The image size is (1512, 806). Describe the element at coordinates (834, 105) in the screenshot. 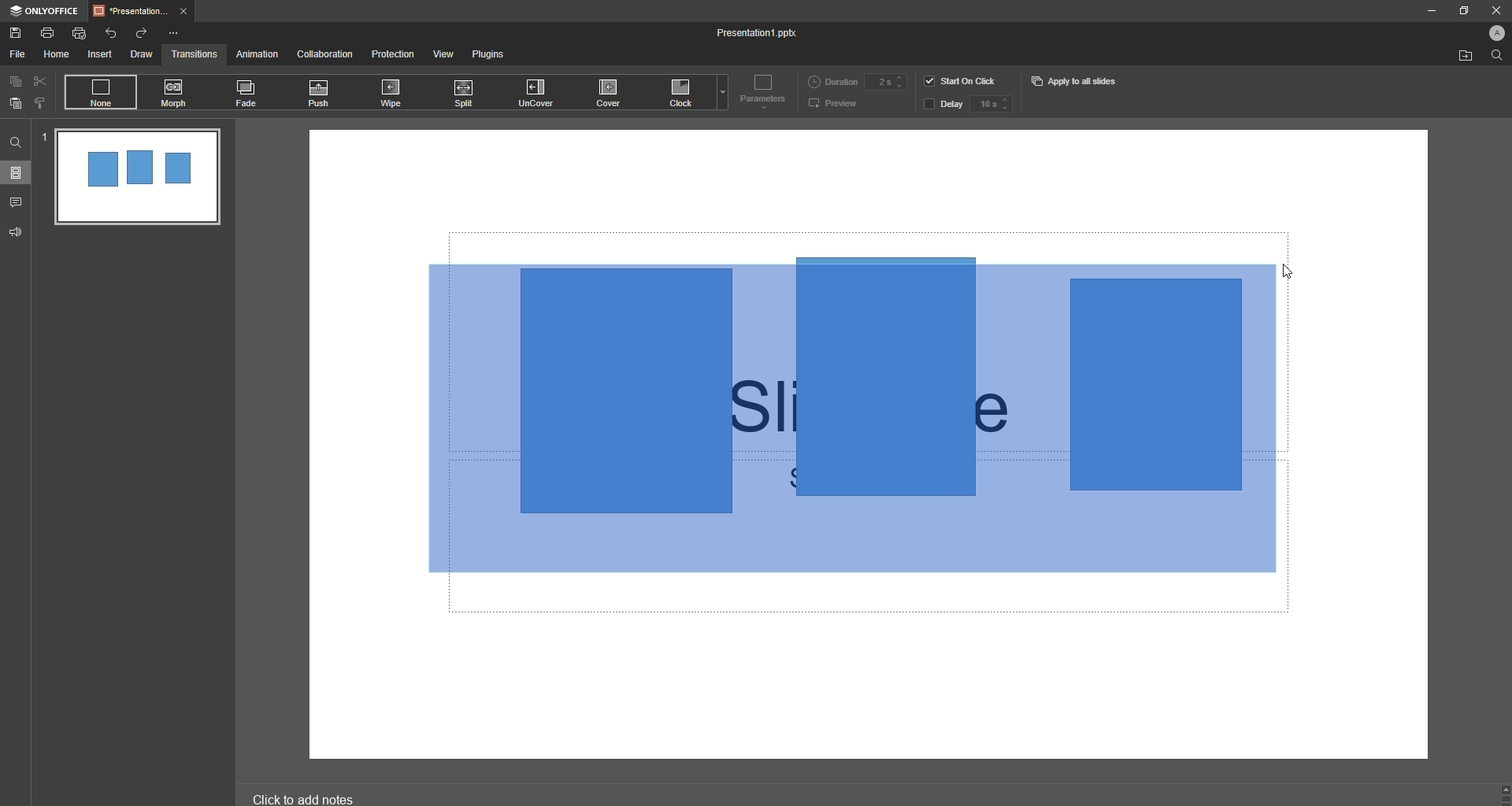

I see `Preview` at that location.